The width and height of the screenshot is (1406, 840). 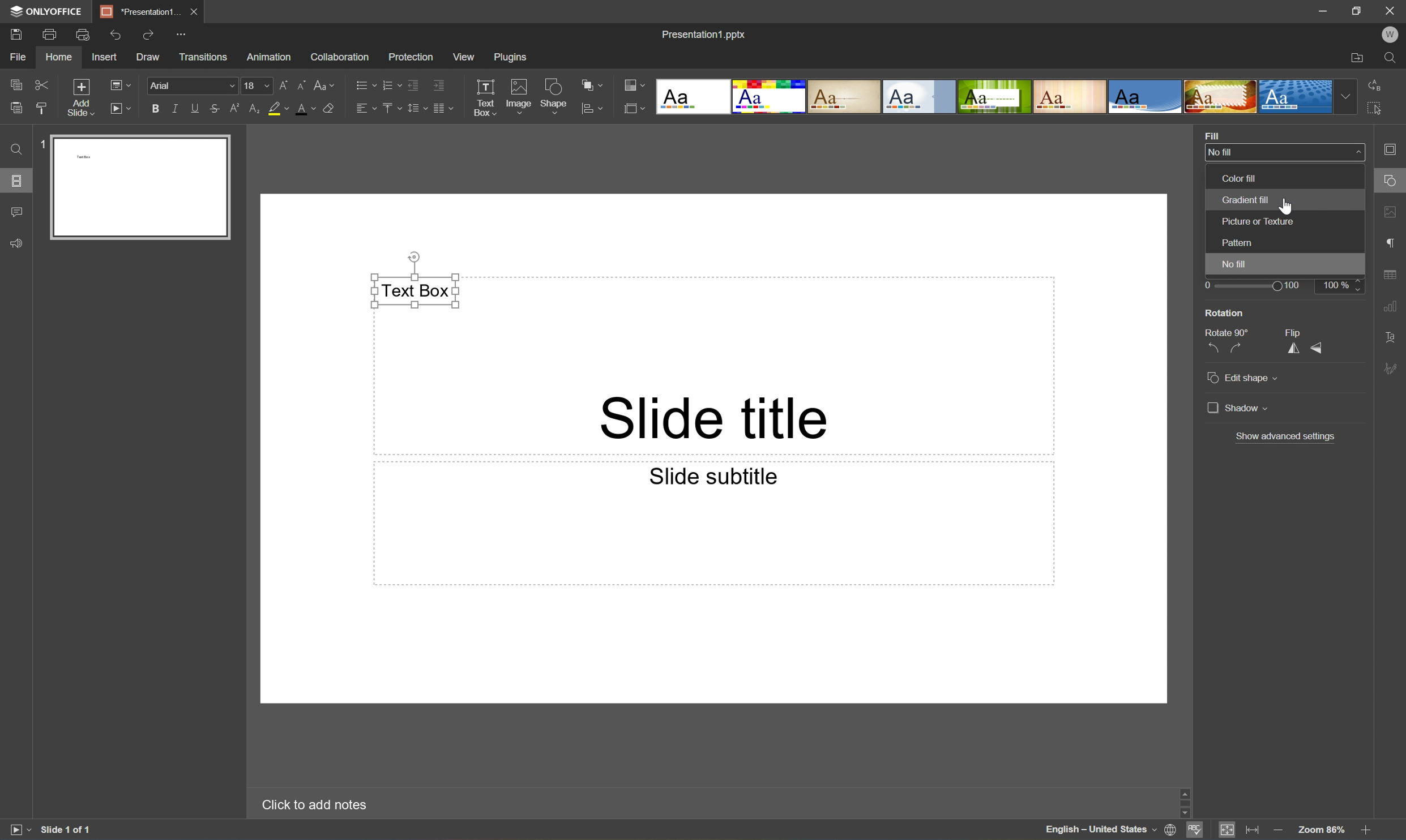 What do you see at coordinates (706, 36) in the screenshot?
I see `Presentation1.pptx` at bounding box center [706, 36].